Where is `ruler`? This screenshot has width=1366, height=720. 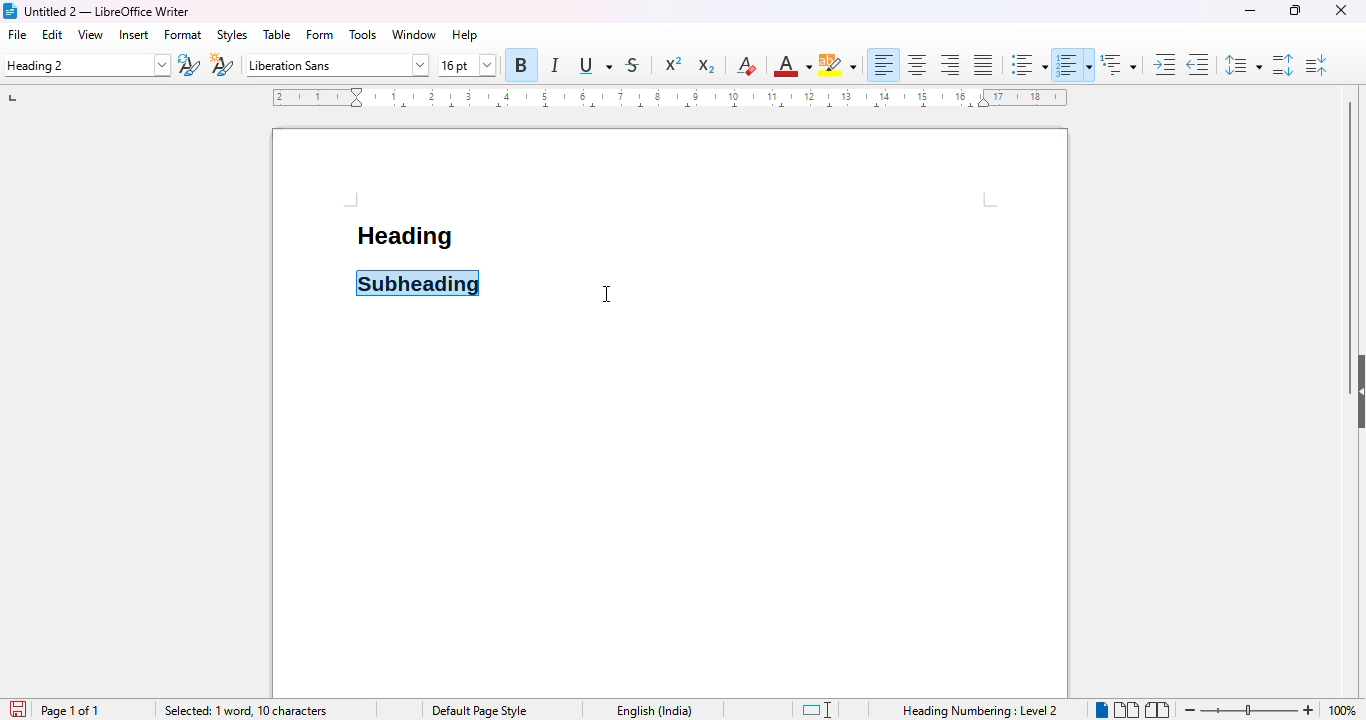
ruler is located at coordinates (670, 97).